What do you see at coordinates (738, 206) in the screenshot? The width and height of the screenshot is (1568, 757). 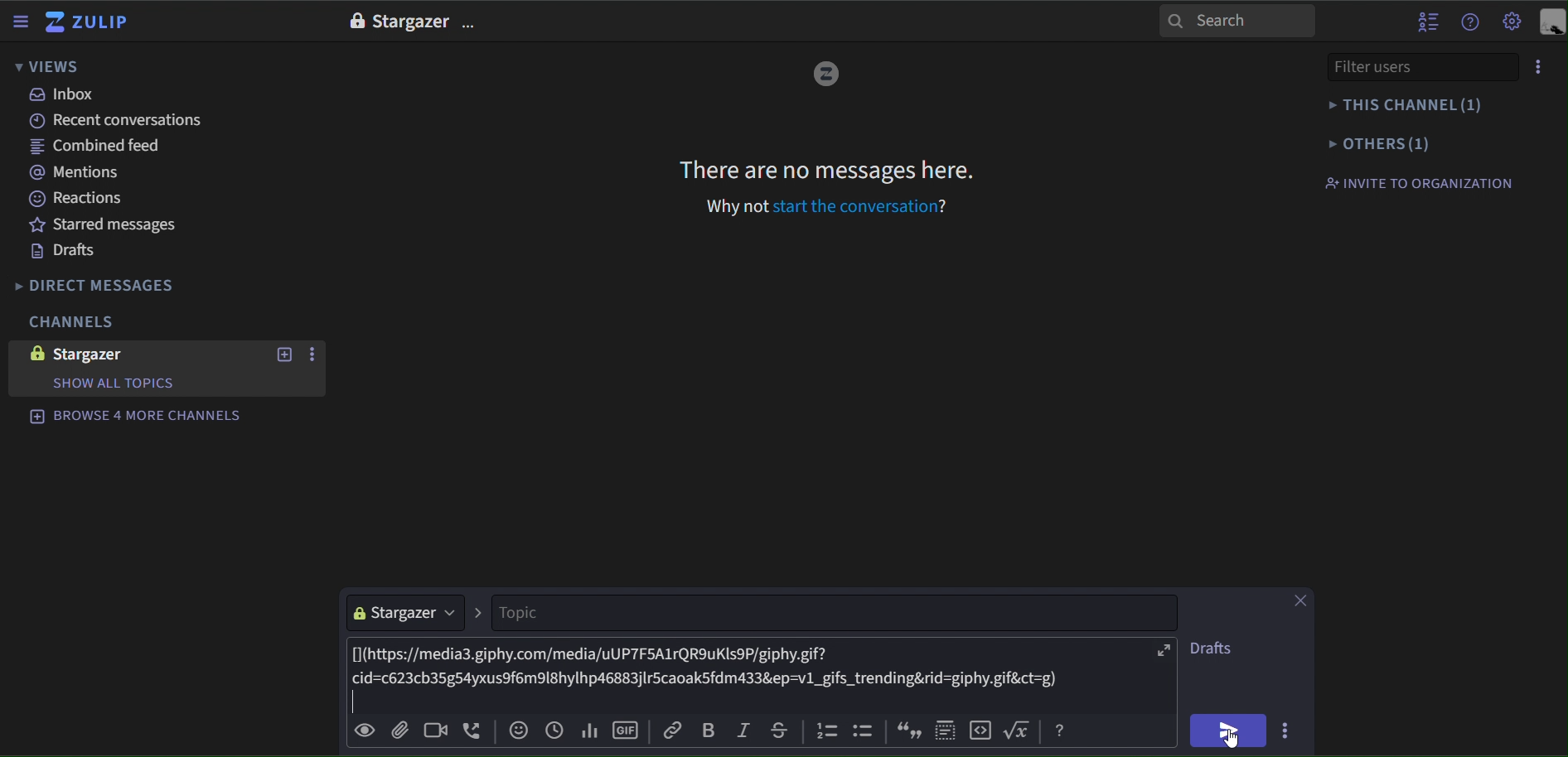 I see `why not` at bounding box center [738, 206].